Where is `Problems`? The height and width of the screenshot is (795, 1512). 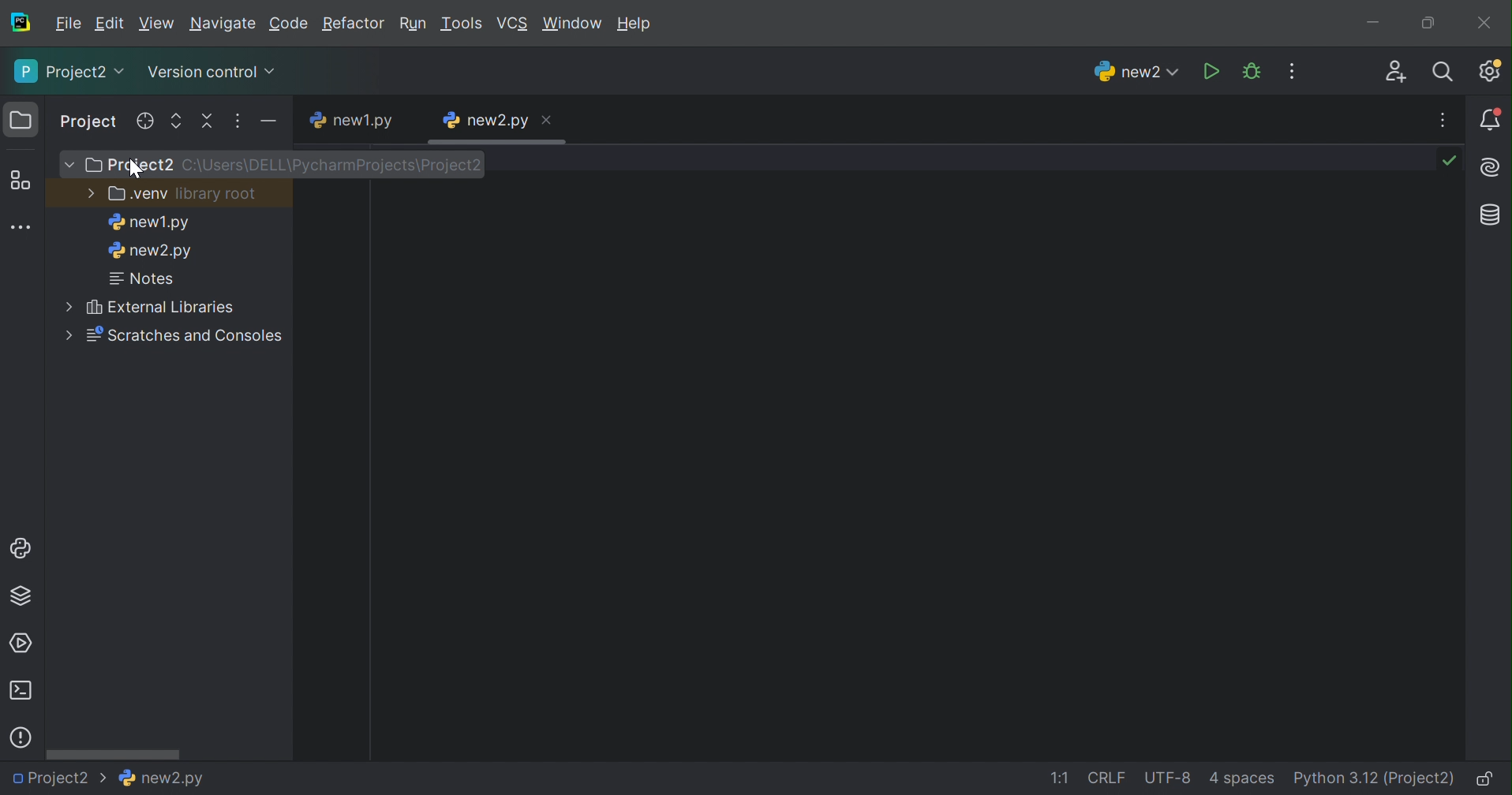 Problems is located at coordinates (21, 738).